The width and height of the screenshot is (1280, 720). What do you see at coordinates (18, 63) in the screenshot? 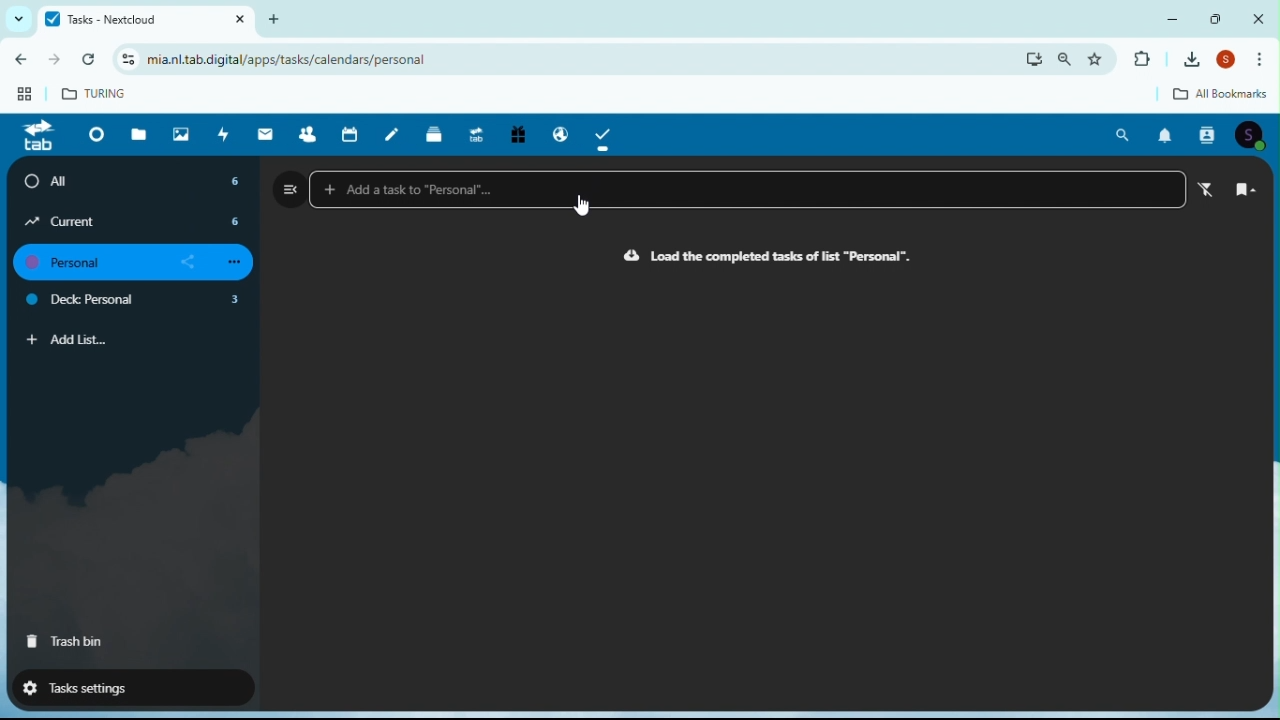
I see `backward` at bounding box center [18, 63].